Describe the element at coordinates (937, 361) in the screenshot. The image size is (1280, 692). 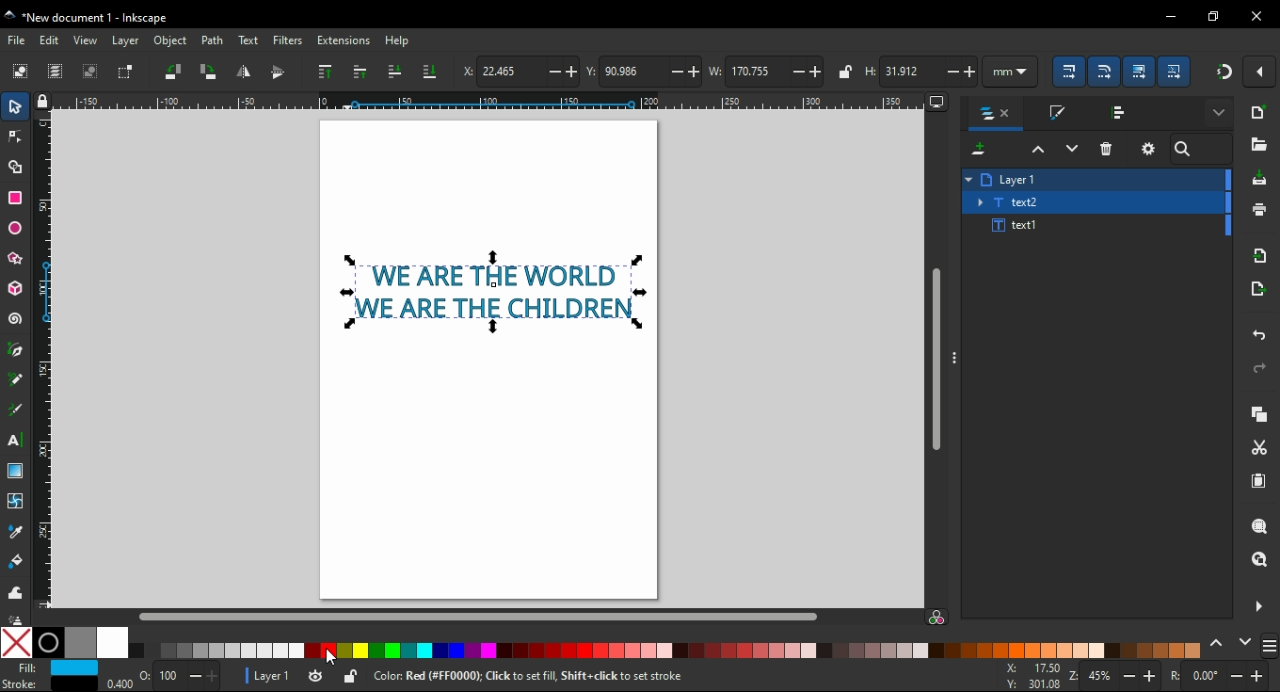
I see `scroll bar` at that location.